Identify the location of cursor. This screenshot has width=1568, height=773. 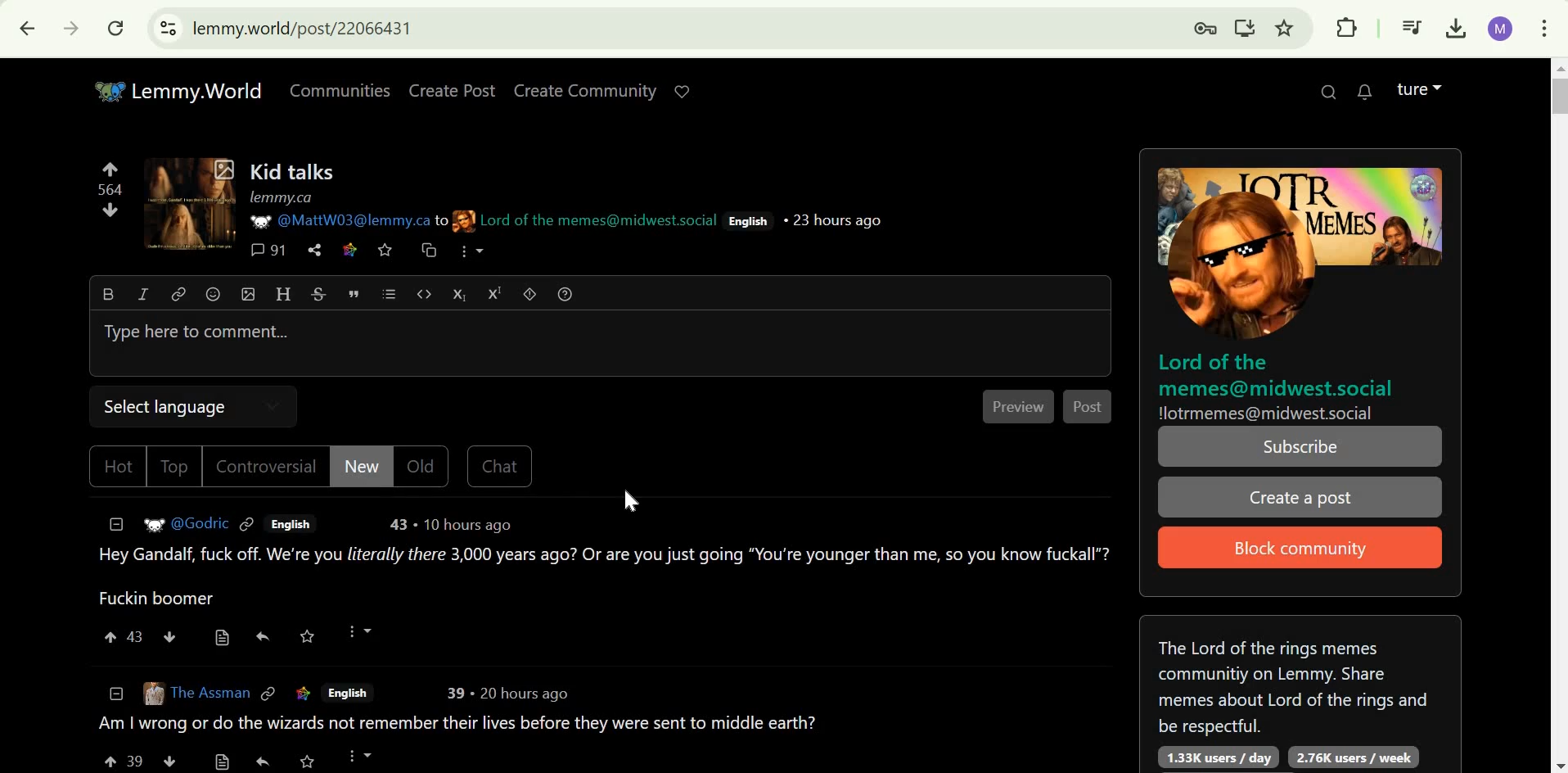
(633, 500).